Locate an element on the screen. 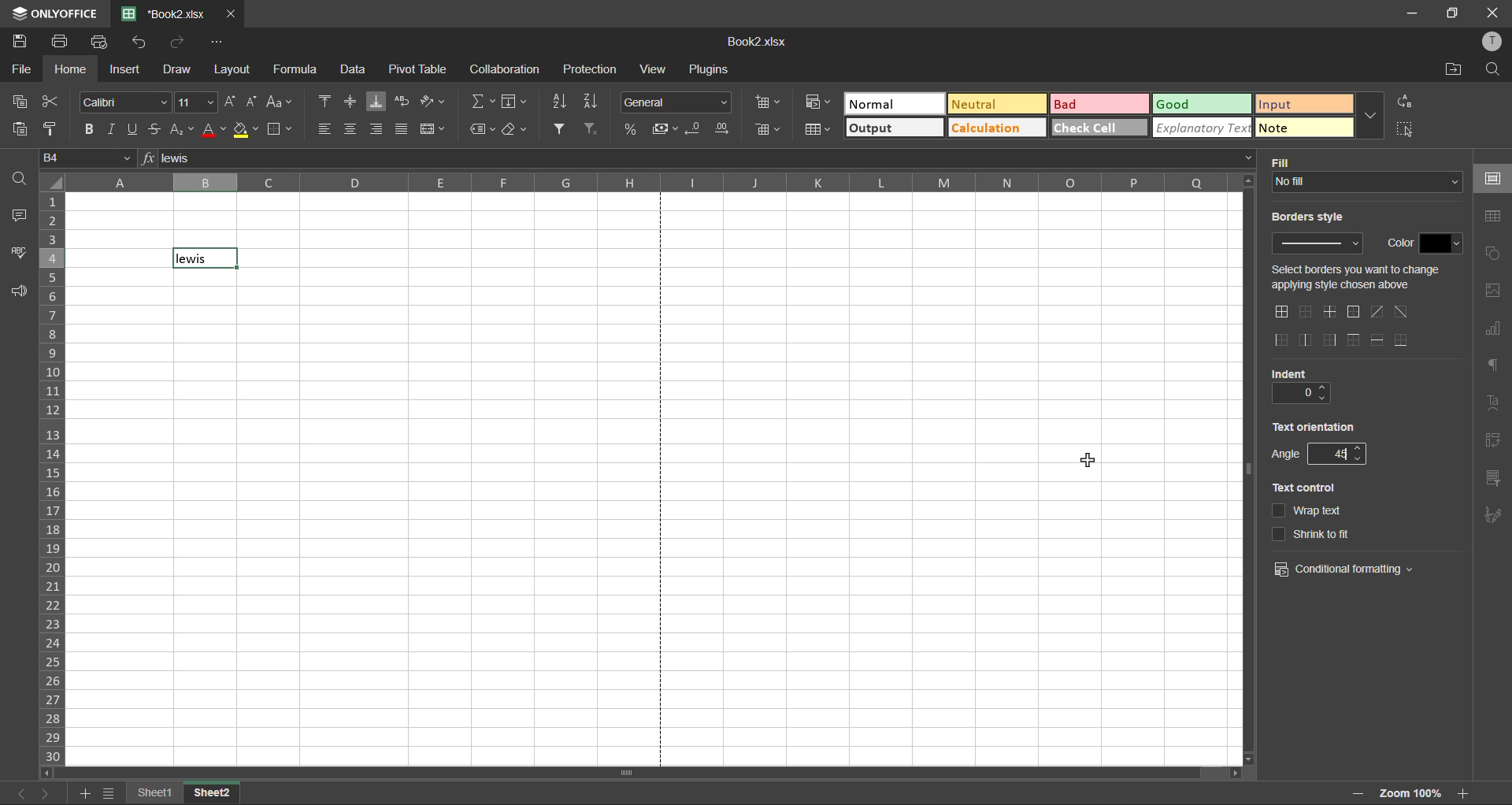 This screenshot has width=1512, height=805. draw is located at coordinates (179, 70).